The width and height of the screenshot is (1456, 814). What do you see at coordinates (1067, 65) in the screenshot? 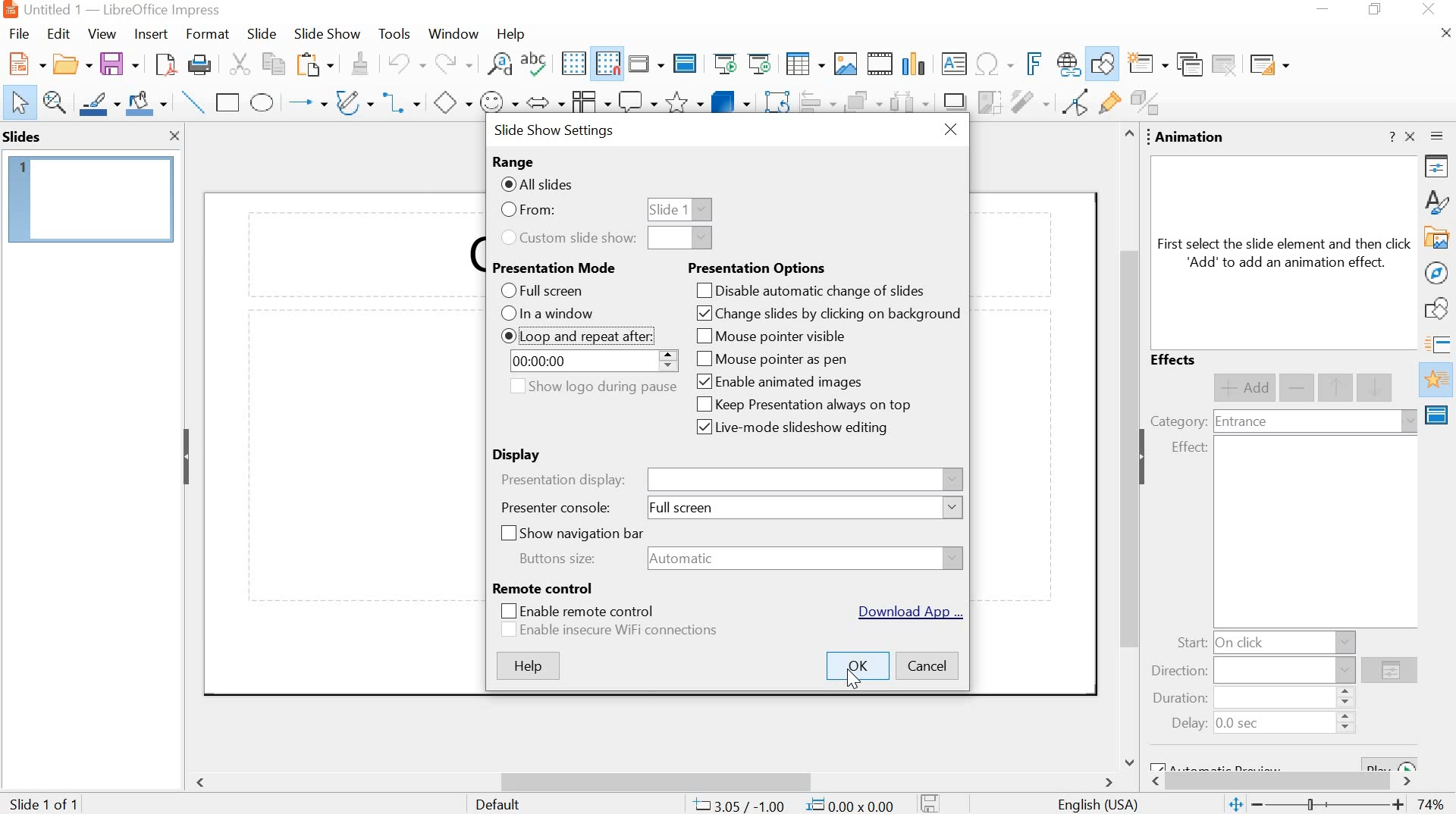
I see `insert hyperlink` at bounding box center [1067, 65].